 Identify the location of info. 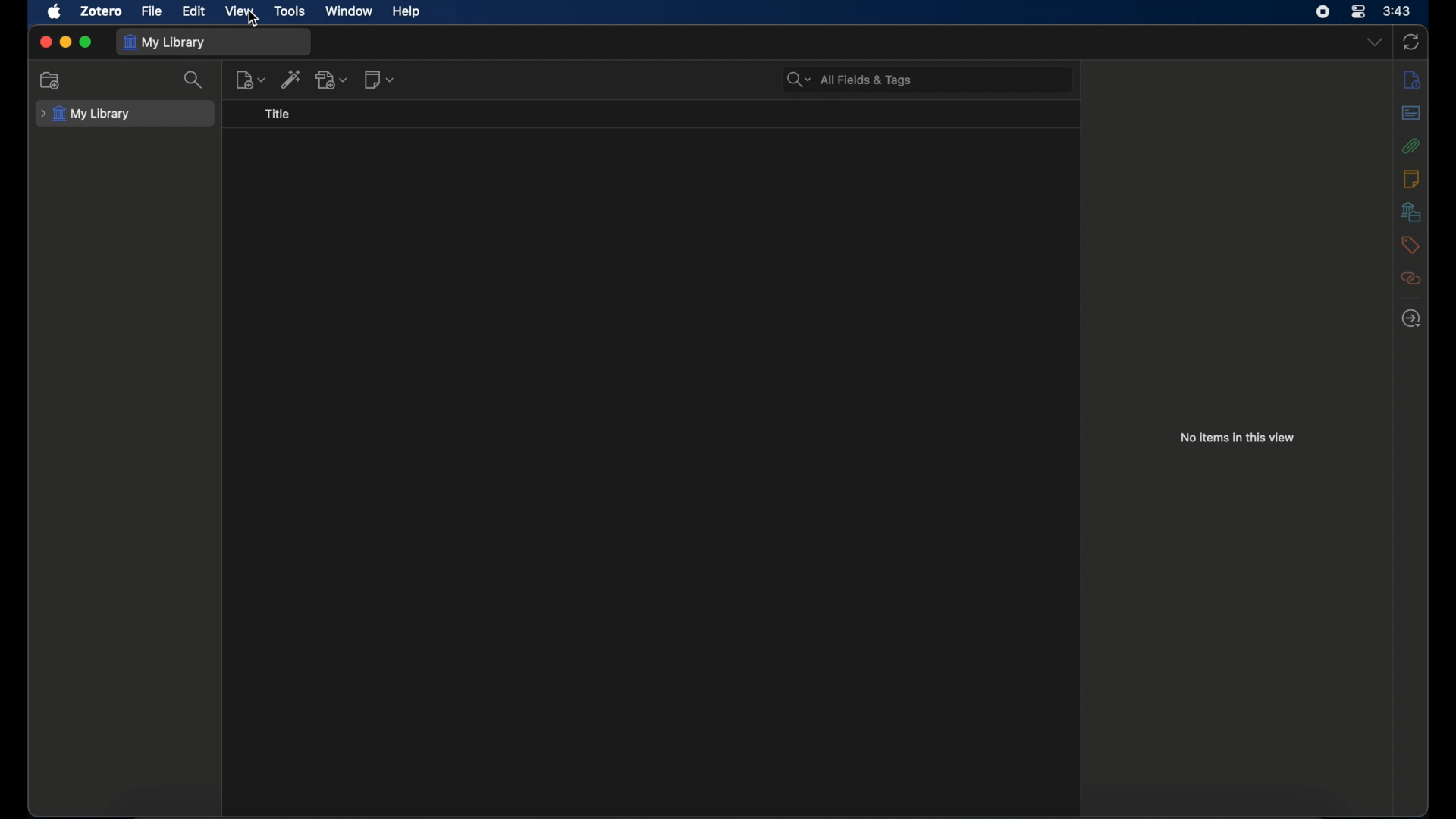
(1410, 80).